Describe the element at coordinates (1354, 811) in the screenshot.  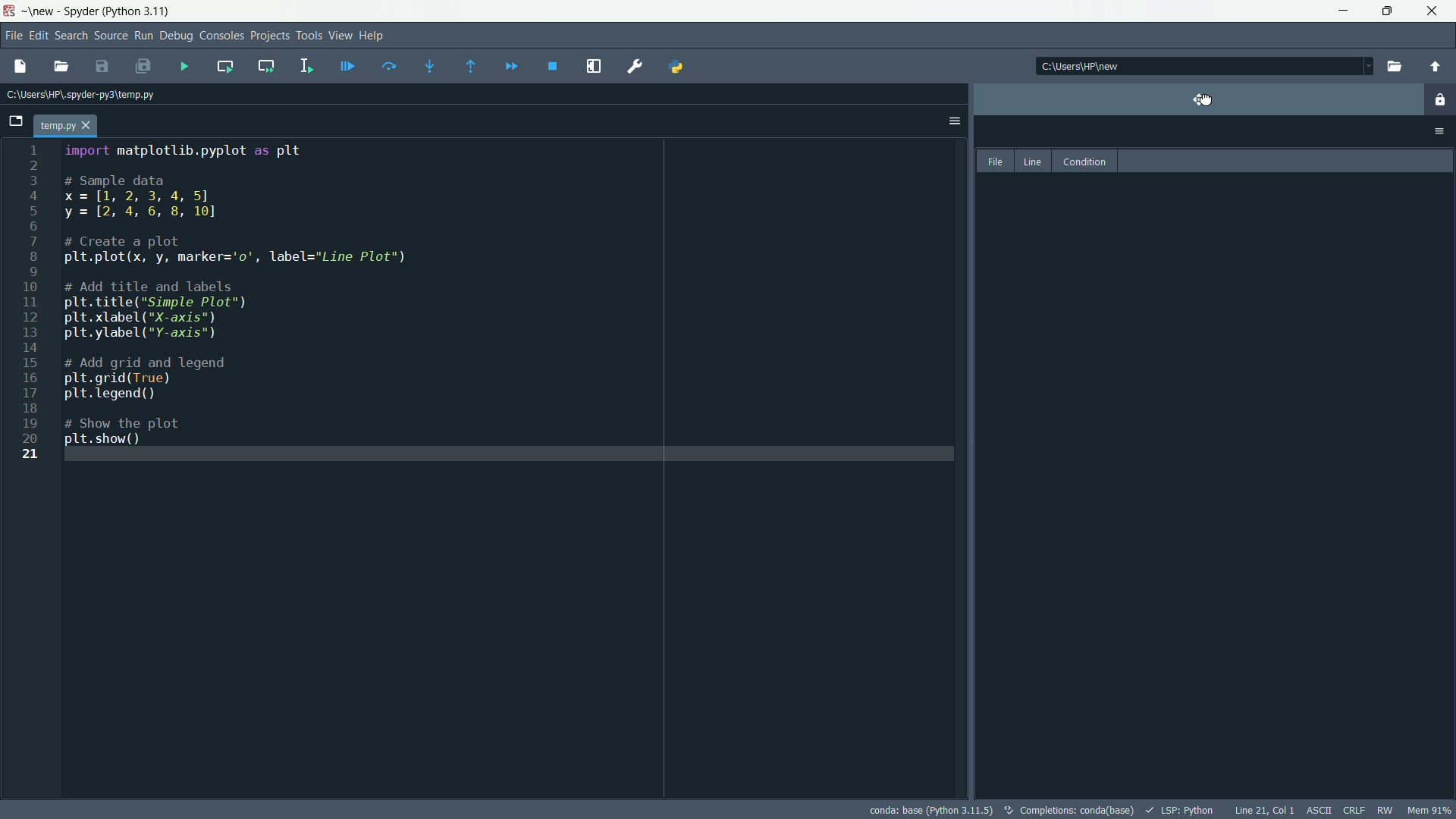
I see `CRLF` at that location.